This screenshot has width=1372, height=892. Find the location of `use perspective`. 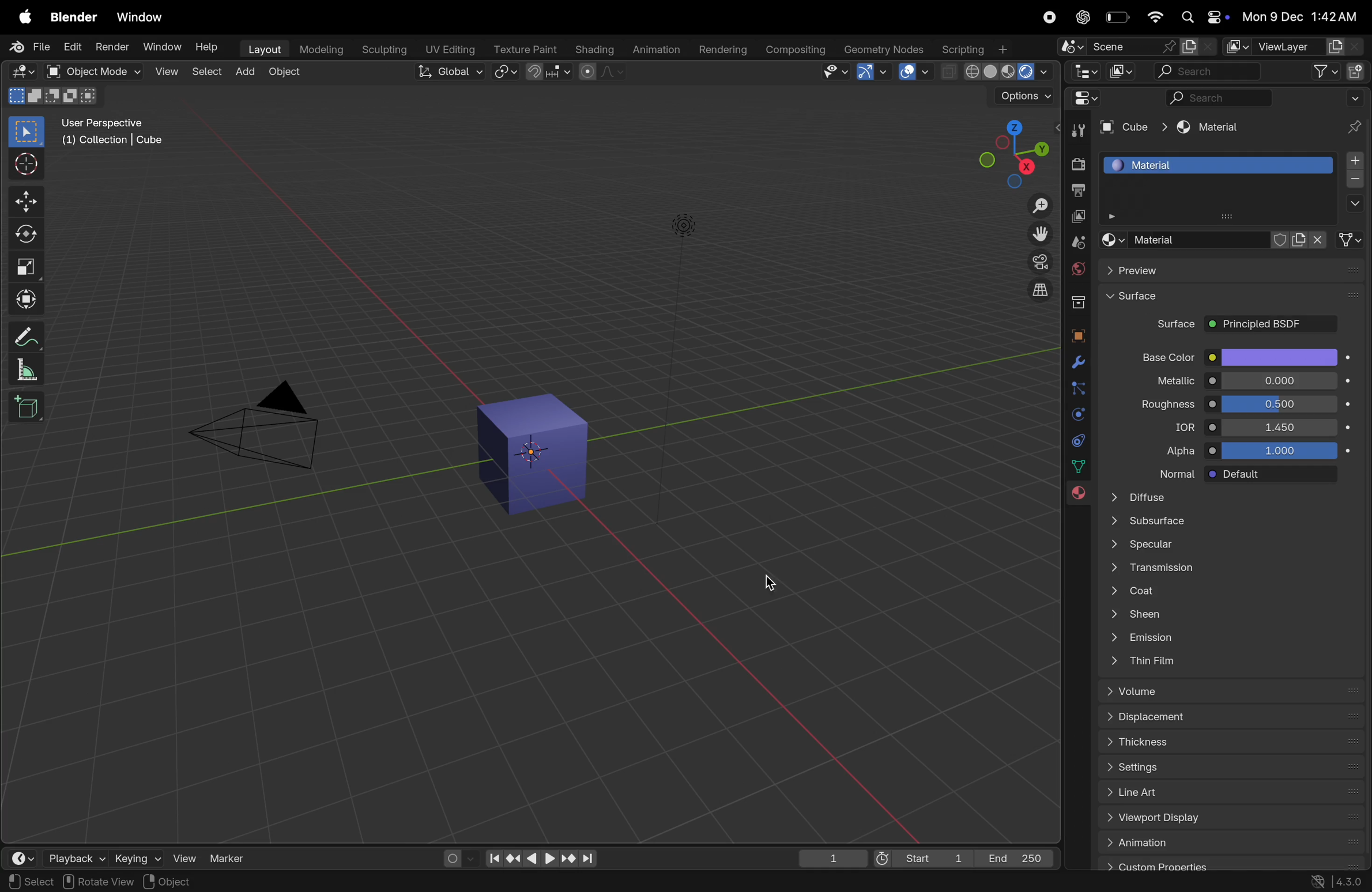

use perspective is located at coordinates (114, 133).